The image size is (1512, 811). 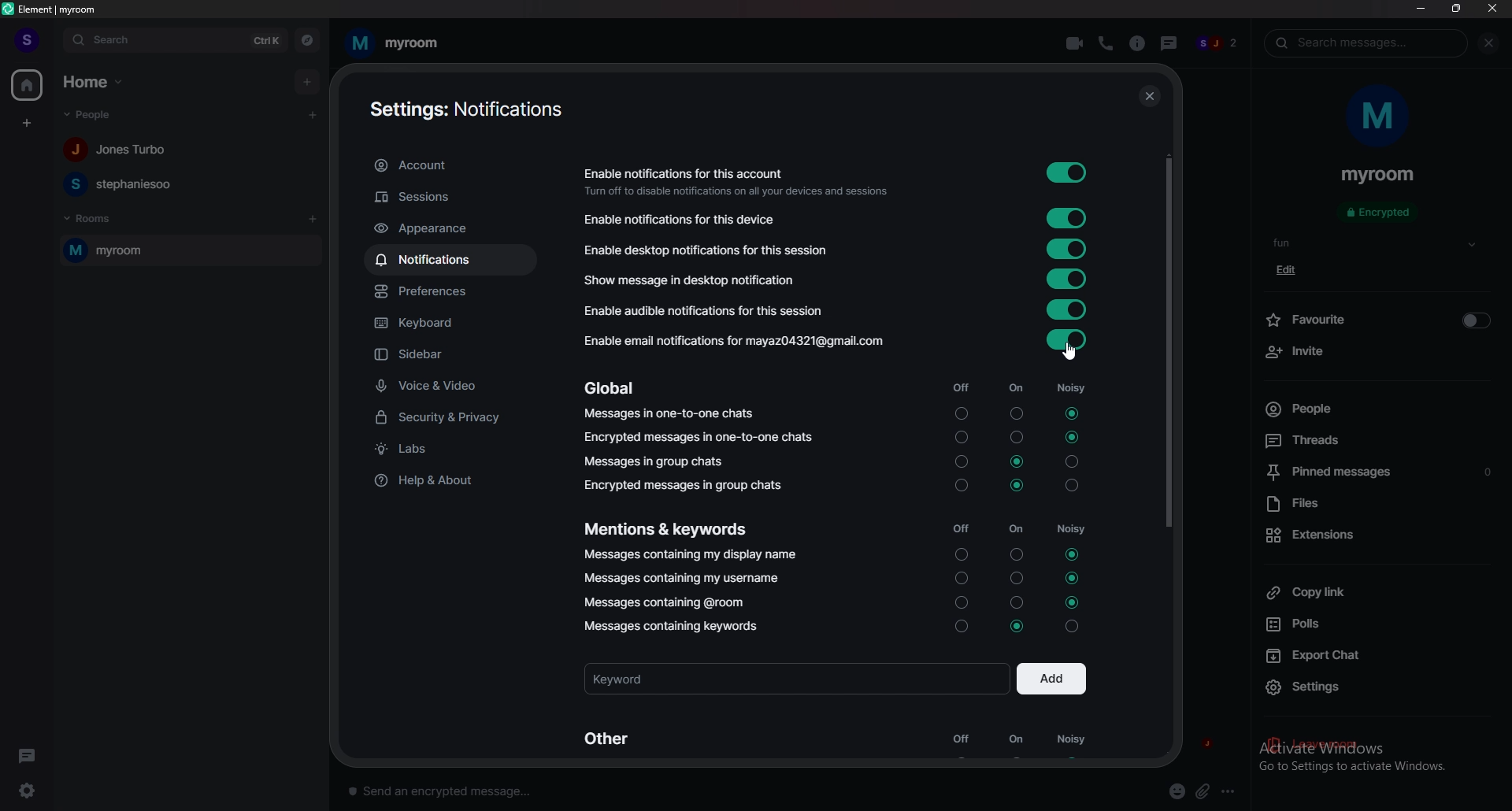 What do you see at coordinates (699, 437) in the screenshot?
I see `encrypted messages in one to one chats` at bounding box center [699, 437].